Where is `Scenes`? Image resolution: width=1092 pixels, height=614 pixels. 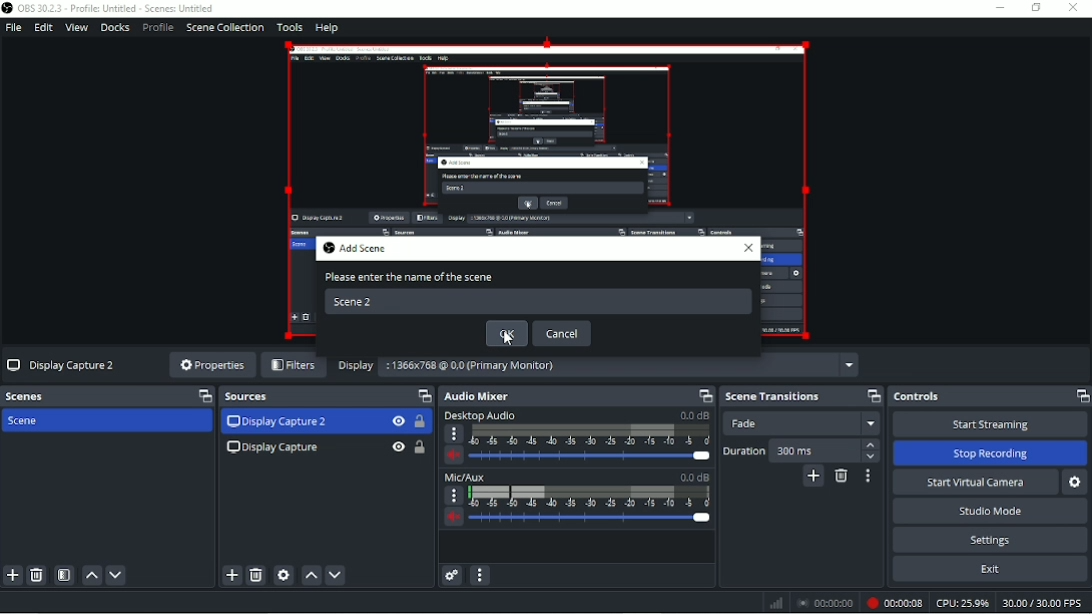 Scenes is located at coordinates (29, 398).